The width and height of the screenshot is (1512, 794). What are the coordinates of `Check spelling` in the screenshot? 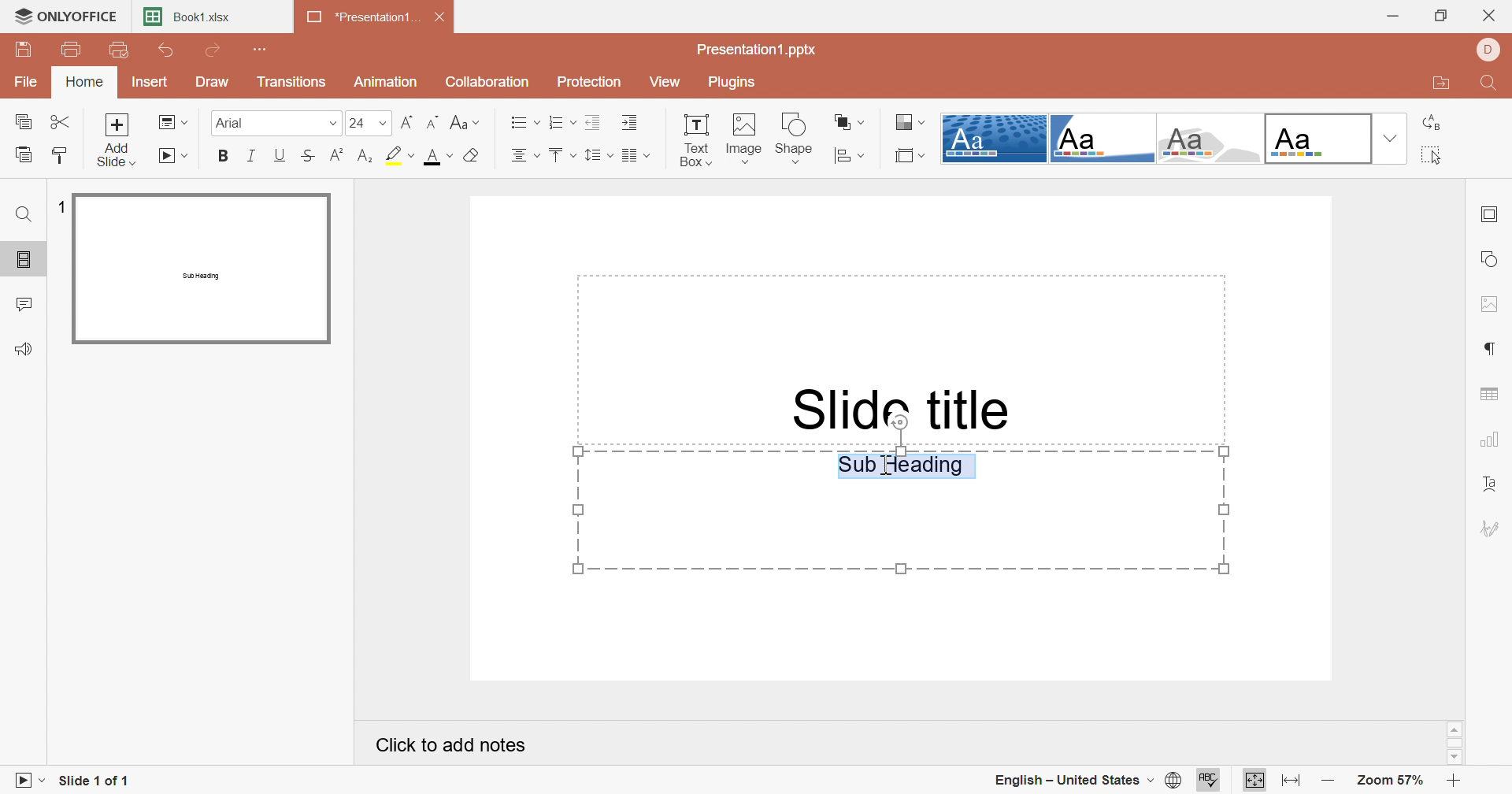 It's located at (1208, 779).